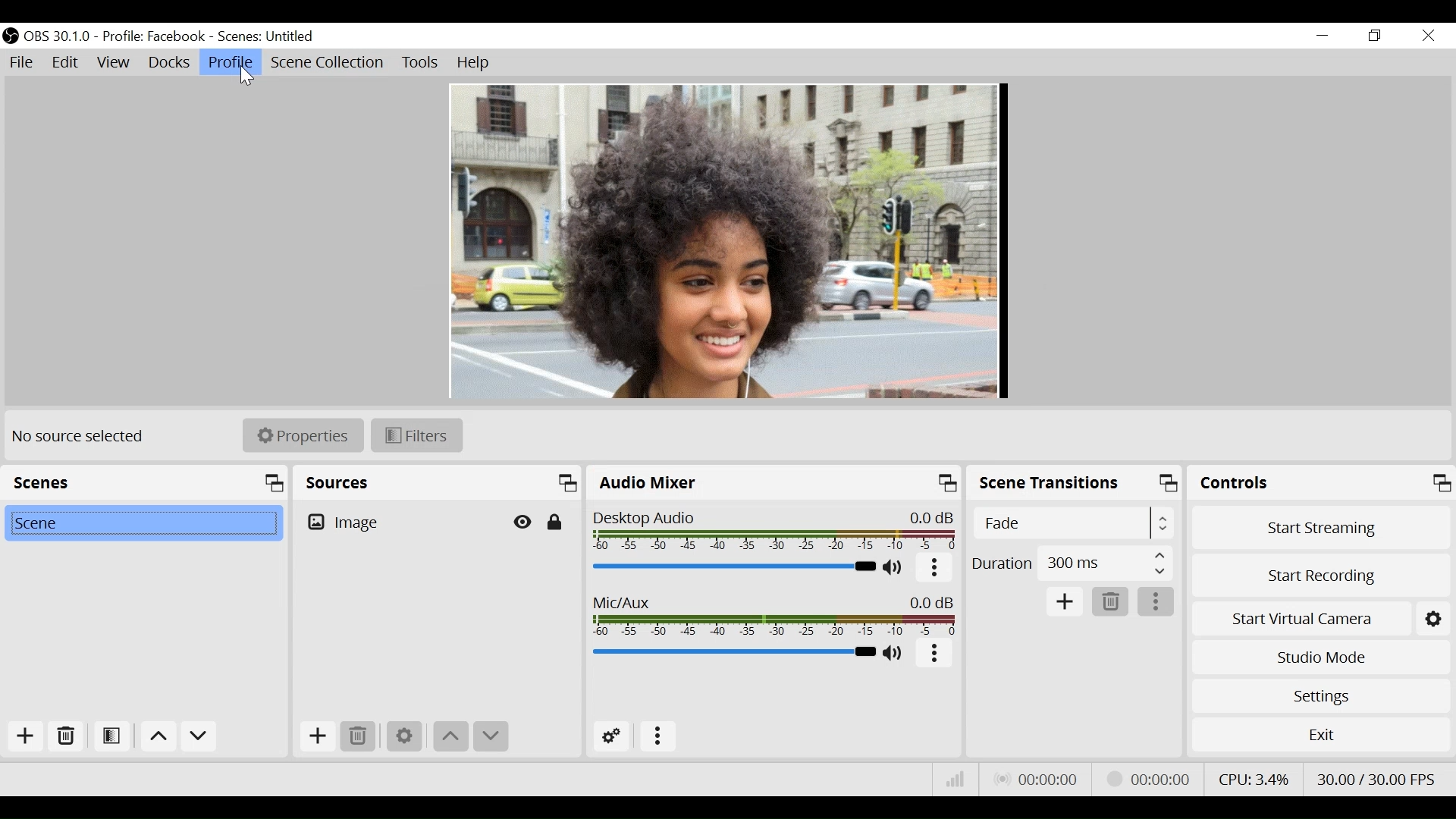 The height and width of the screenshot is (819, 1456). I want to click on Sources Panel, so click(438, 482).